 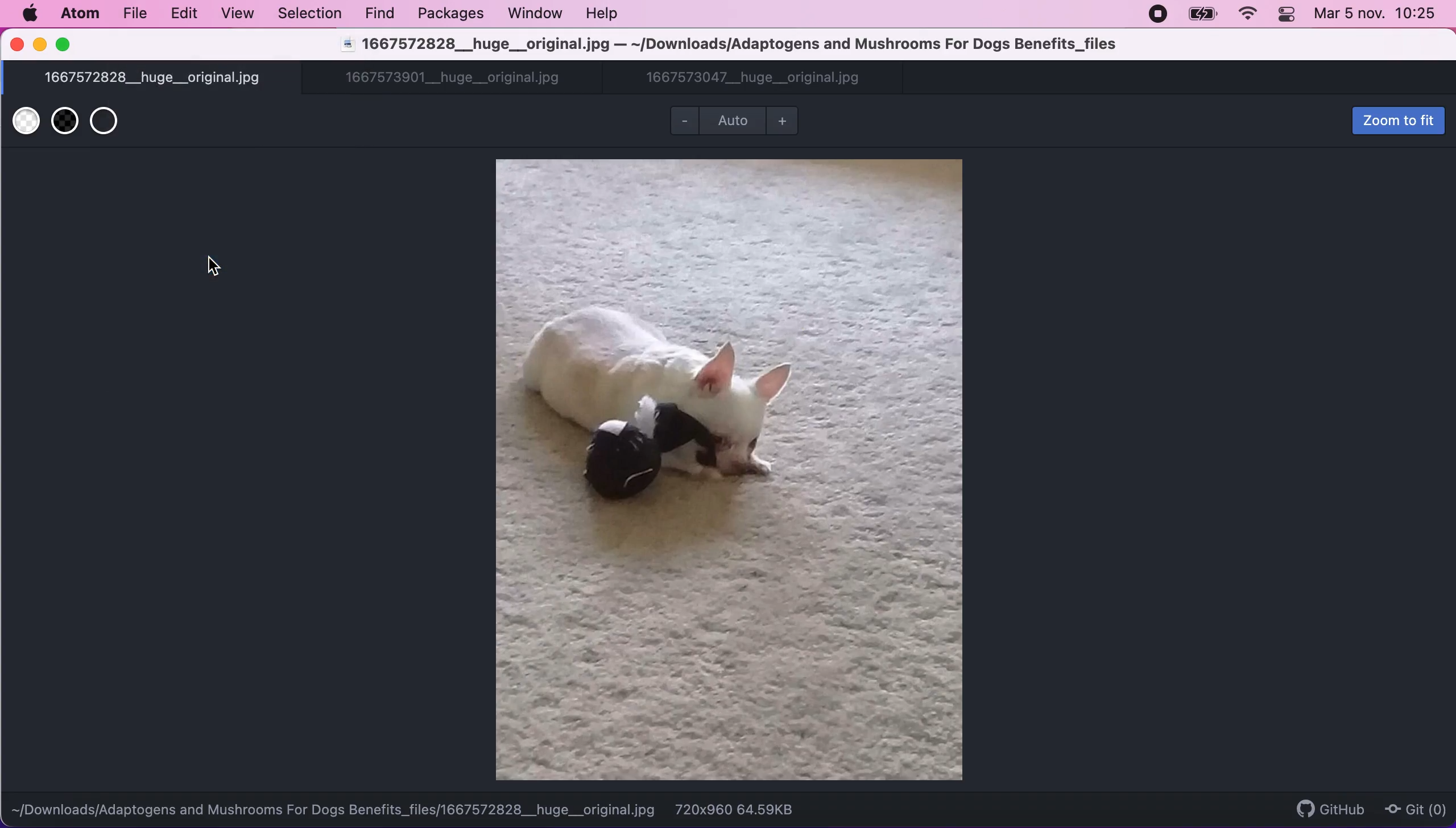 I want to click on use white transparent background, so click(x=24, y=124).